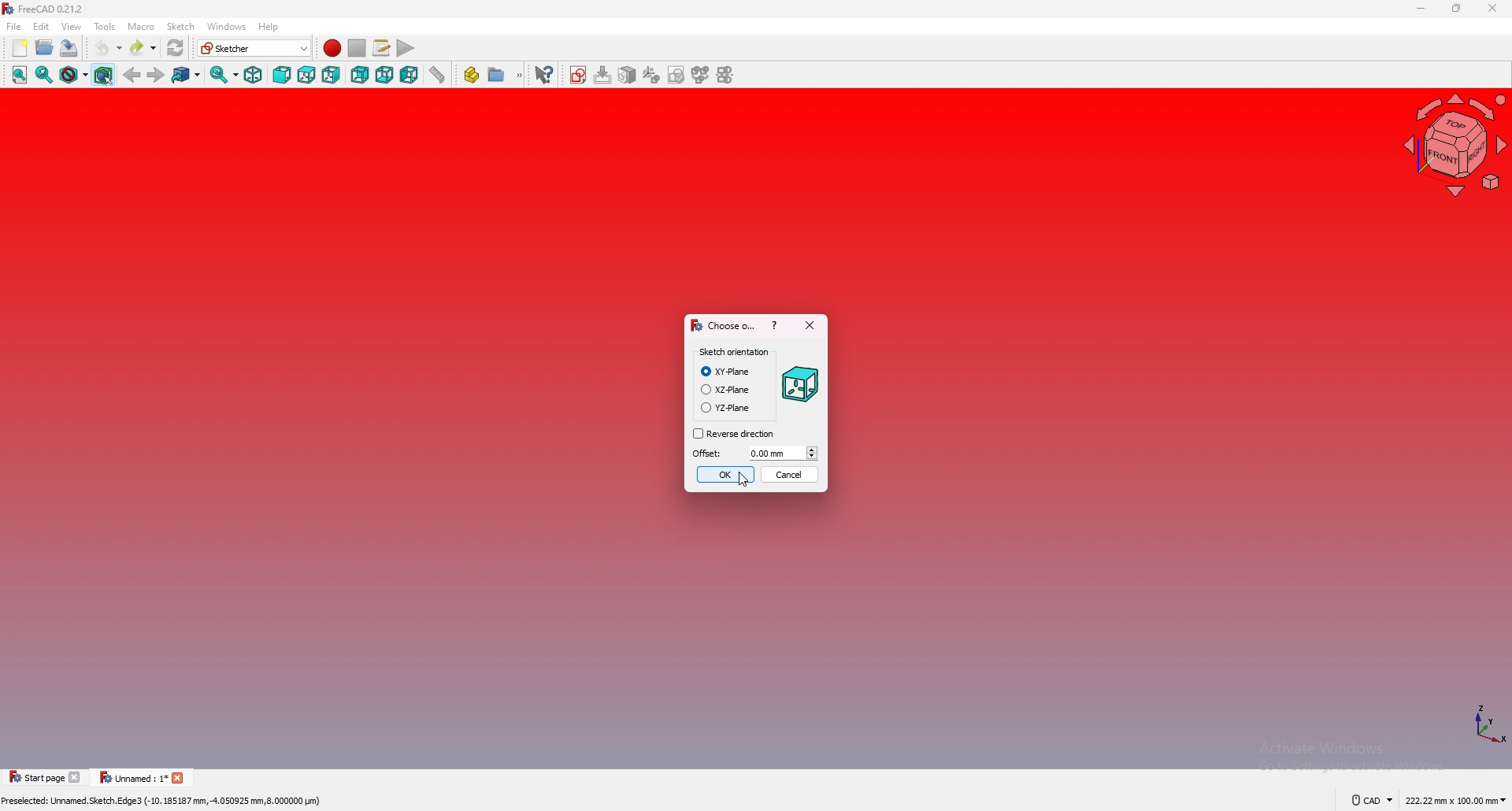 The image size is (1512, 811). What do you see at coordinates (105, 26) in the screenshot?
I see `tools` at bounding box center [105, 26].